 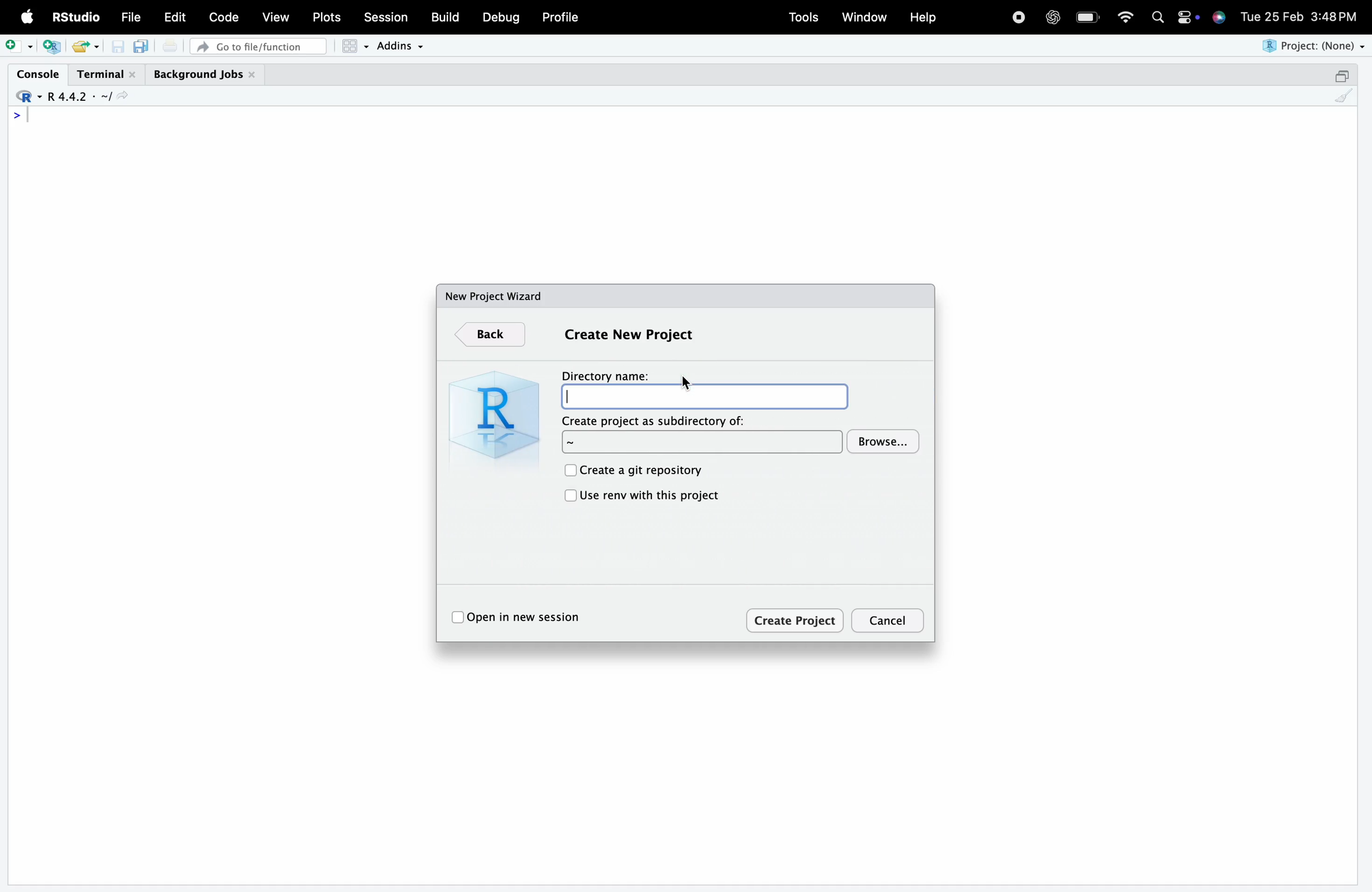 I want to click on Browse..., so click(x=884, y=441).